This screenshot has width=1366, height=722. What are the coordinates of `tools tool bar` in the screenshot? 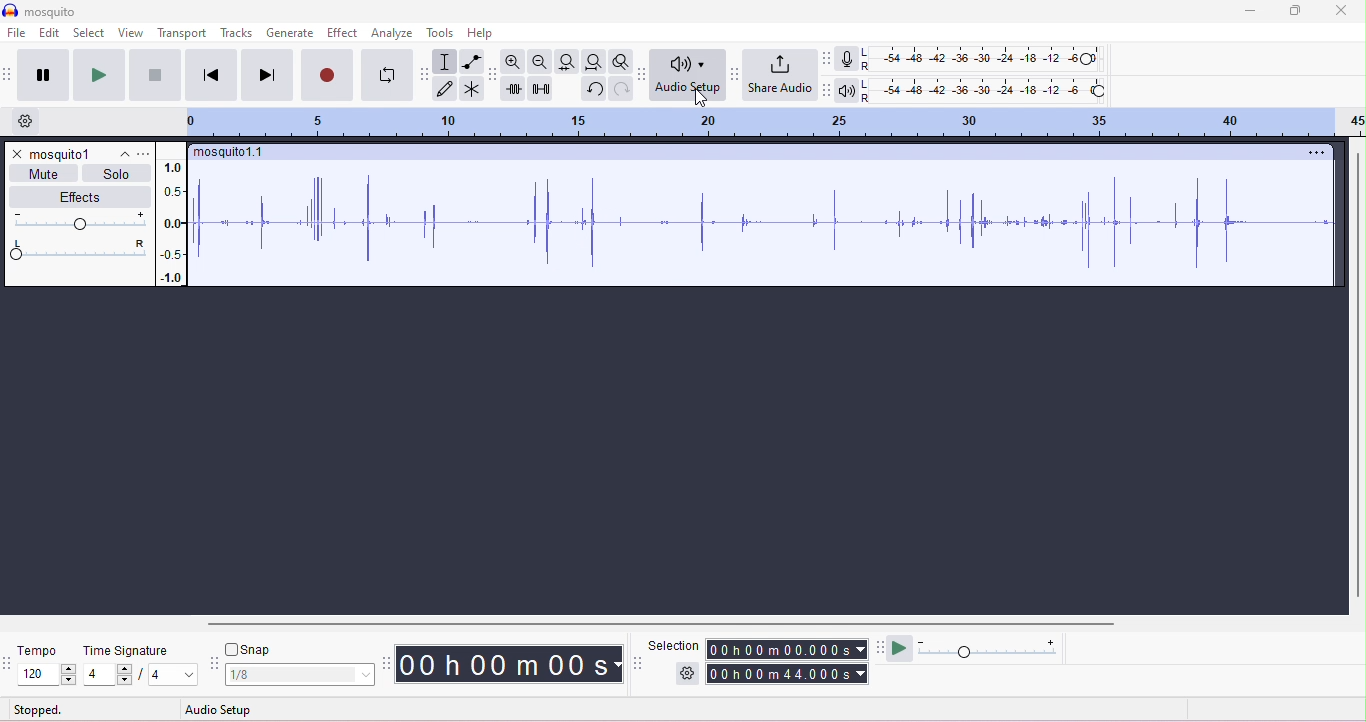 It's located at (427, 74).